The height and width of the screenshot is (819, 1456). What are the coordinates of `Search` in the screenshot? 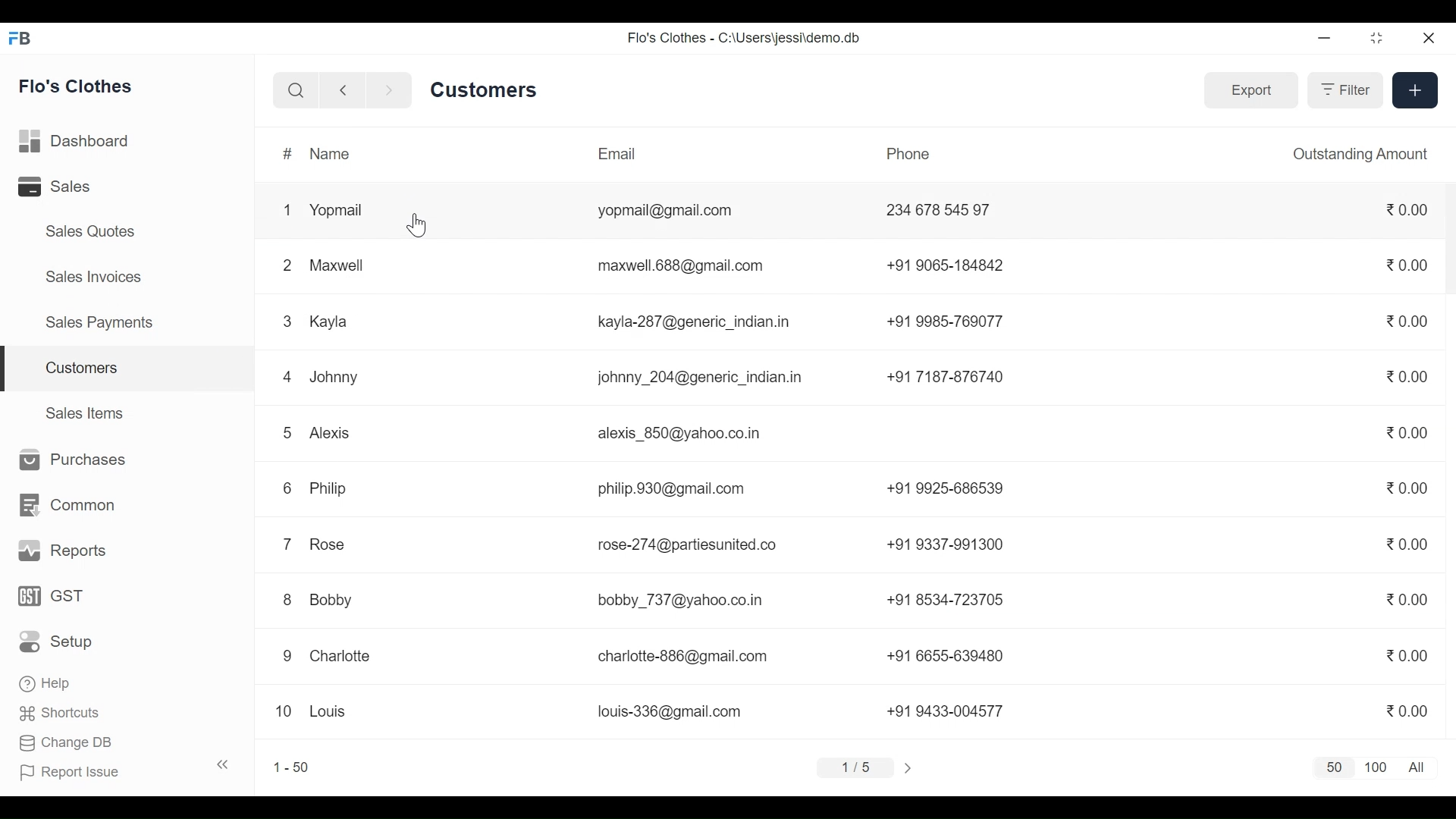 It's located at (299, 90).